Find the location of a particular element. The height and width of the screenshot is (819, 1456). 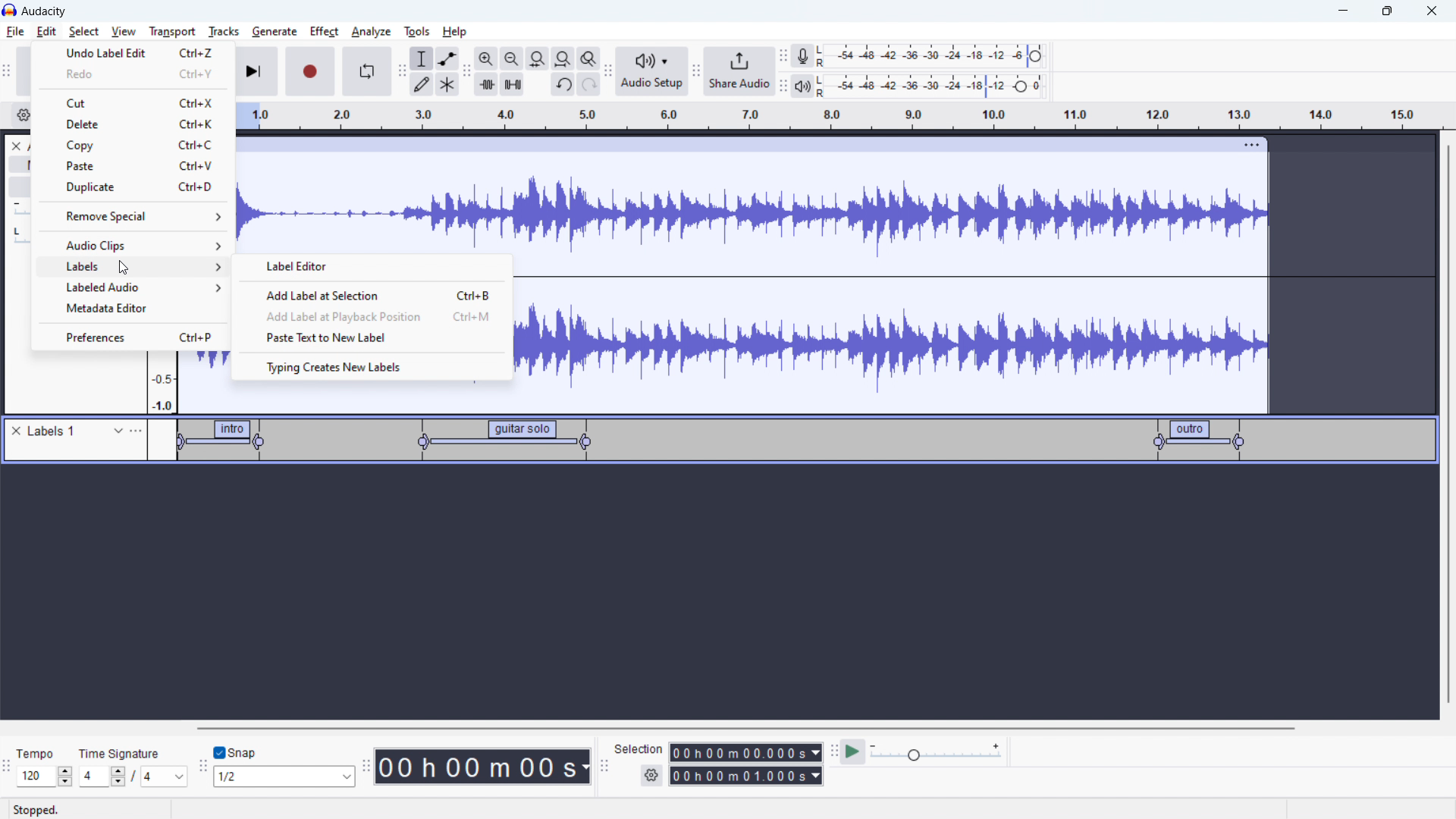

cut is located at coordinates (133, 102).